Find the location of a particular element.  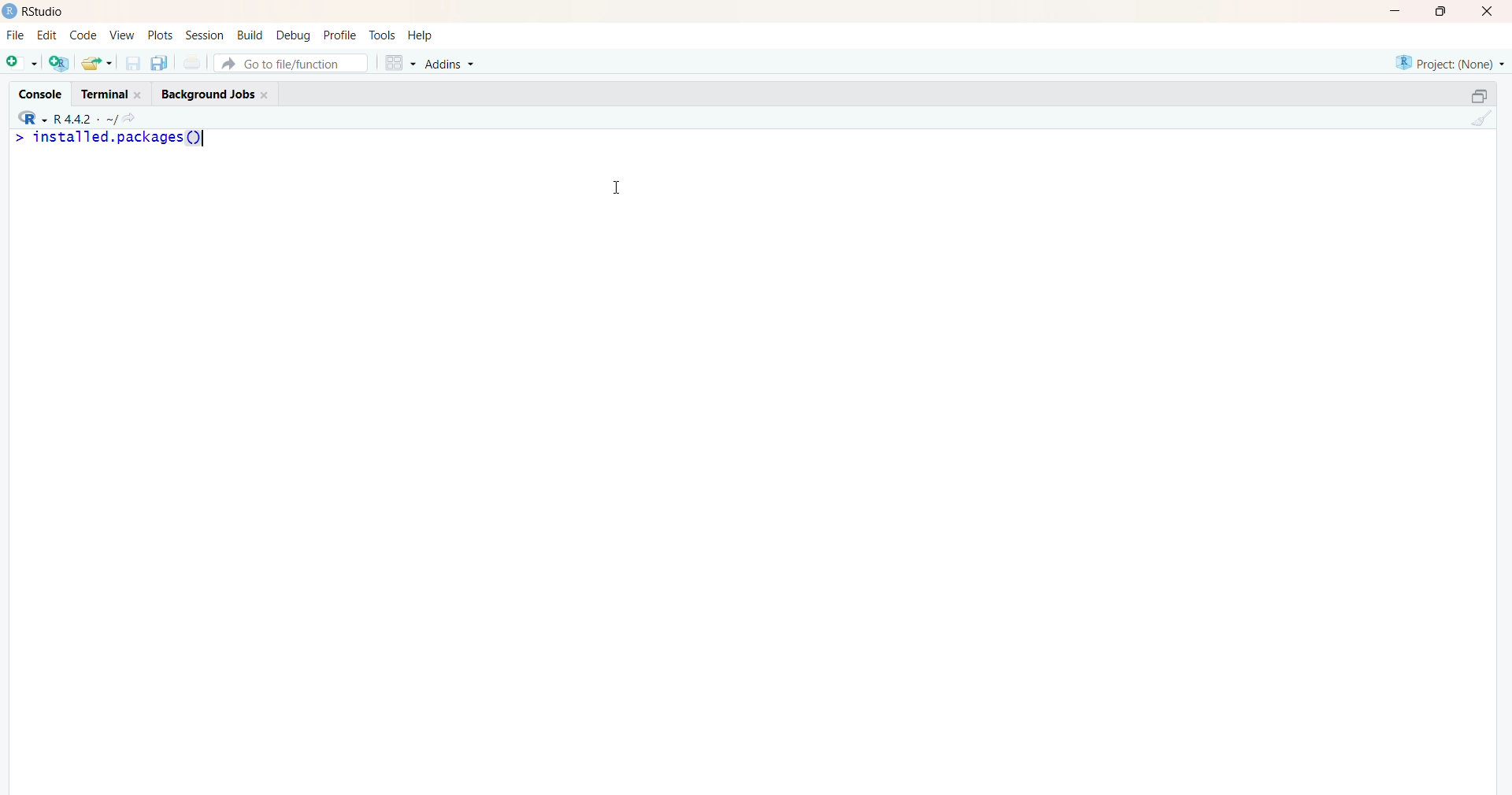

project(none) is located at coordinates (1447, 61).